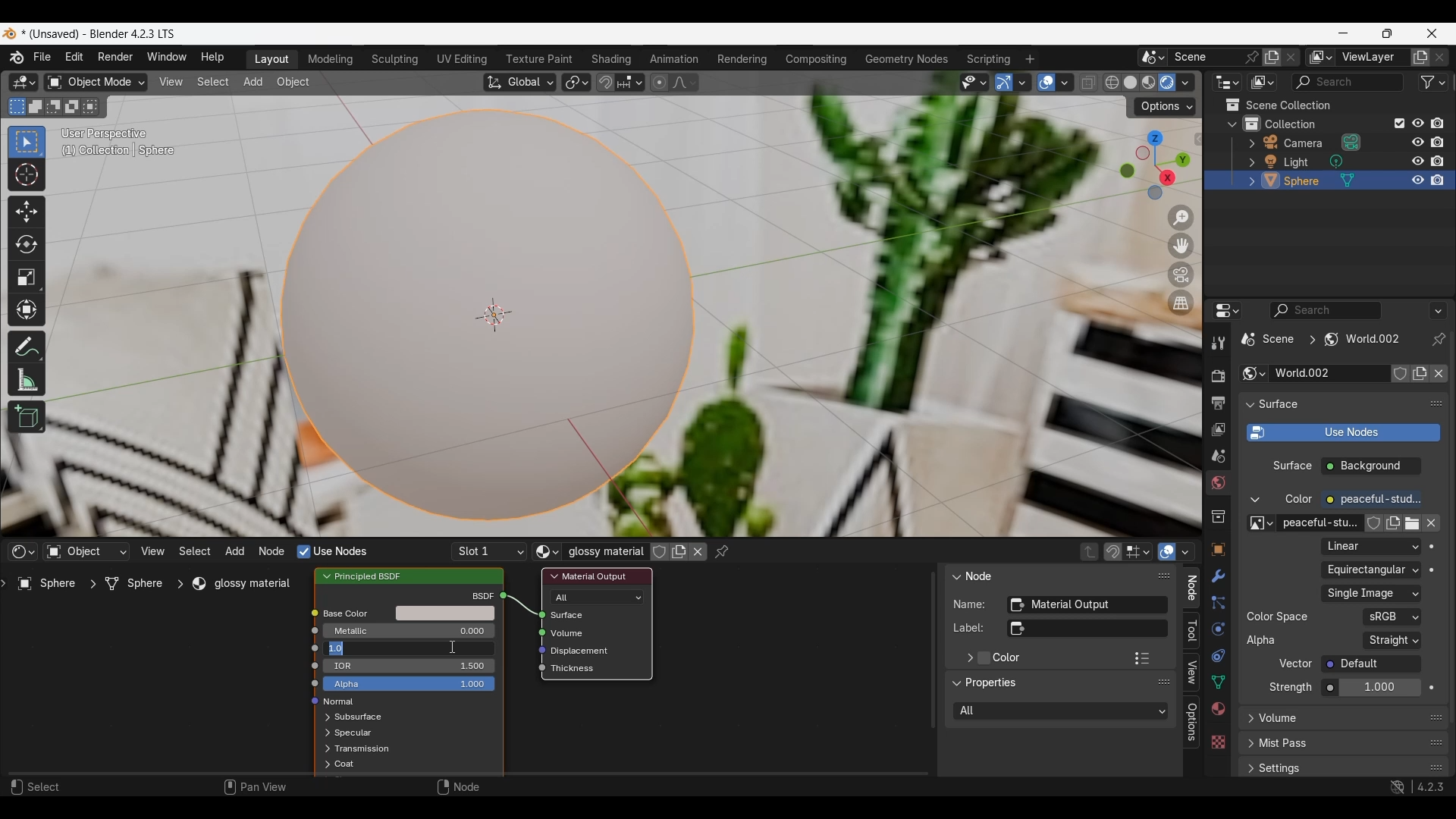  What do you see at coordinates (1065, 83) in the screenshot?
I see `Overlay options` at bounding box center [1065, 83].